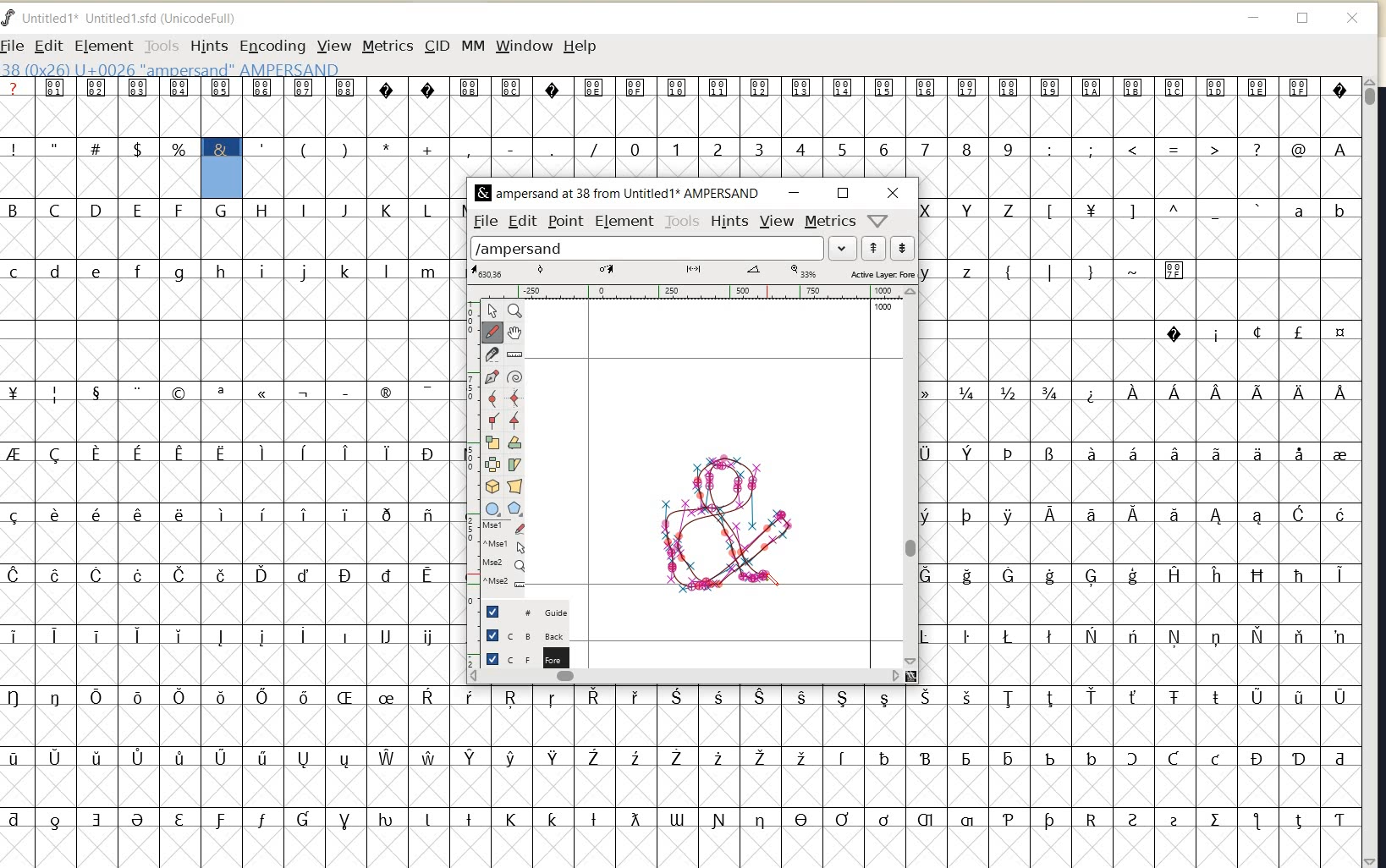 Image resolution: width=1386 pixels, height=868 pixels. What do you see at coordinates (518, 398) in the screenshot?
I see `add a curve point always either horizontal or vertical` at bounding box center [518, 398].